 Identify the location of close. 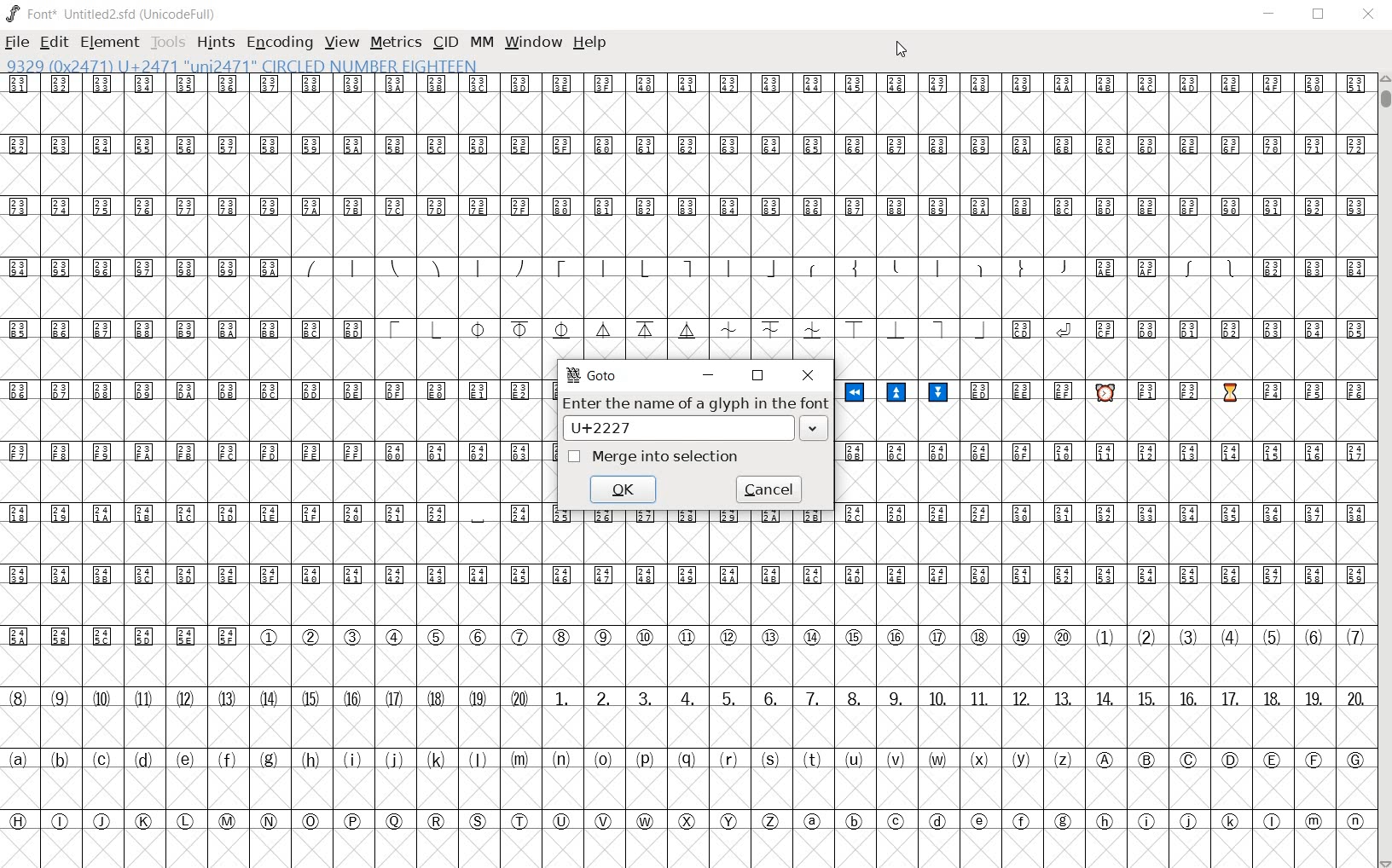
(1372, 14).